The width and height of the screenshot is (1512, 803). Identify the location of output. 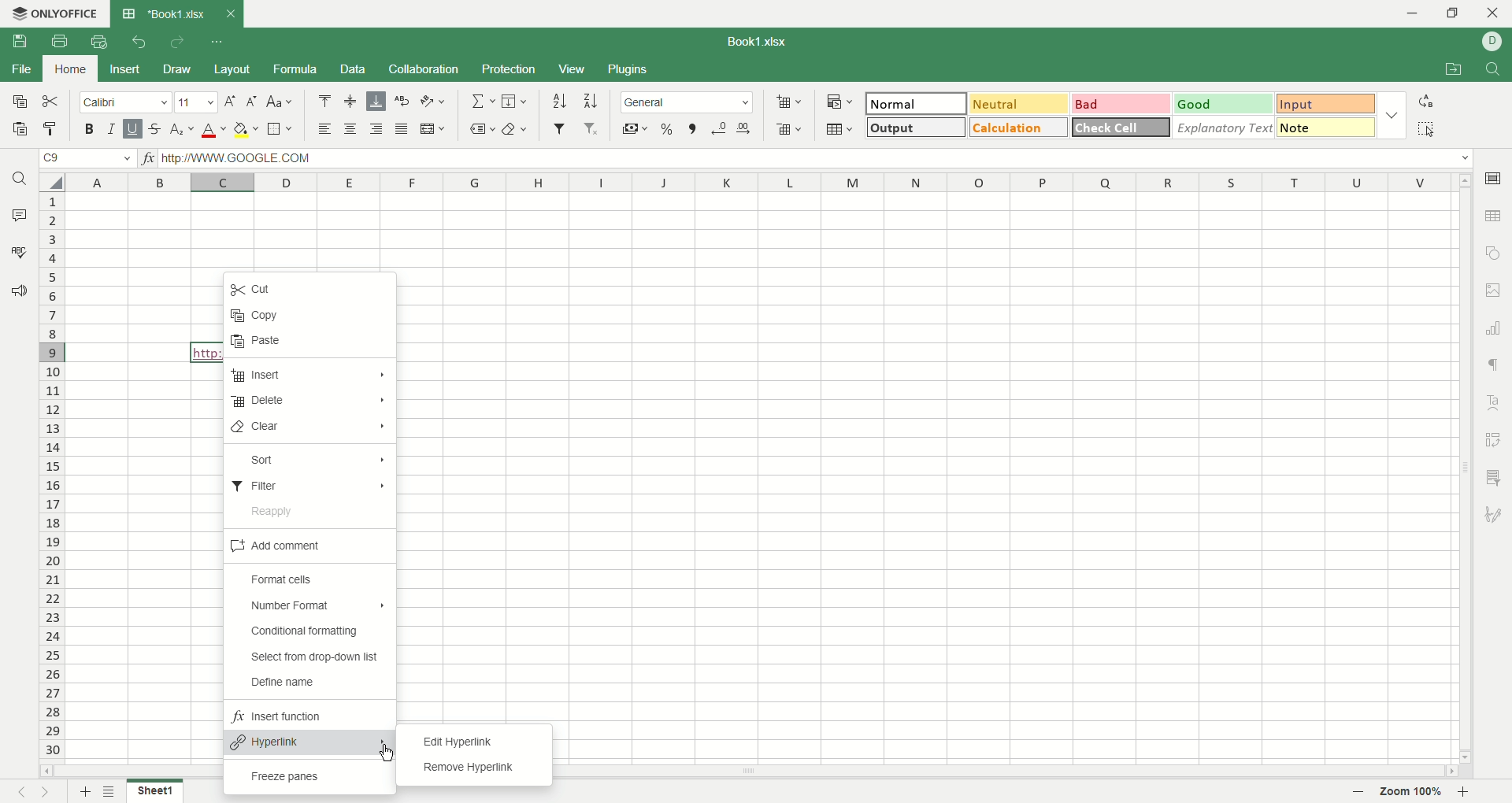
(914, 128).